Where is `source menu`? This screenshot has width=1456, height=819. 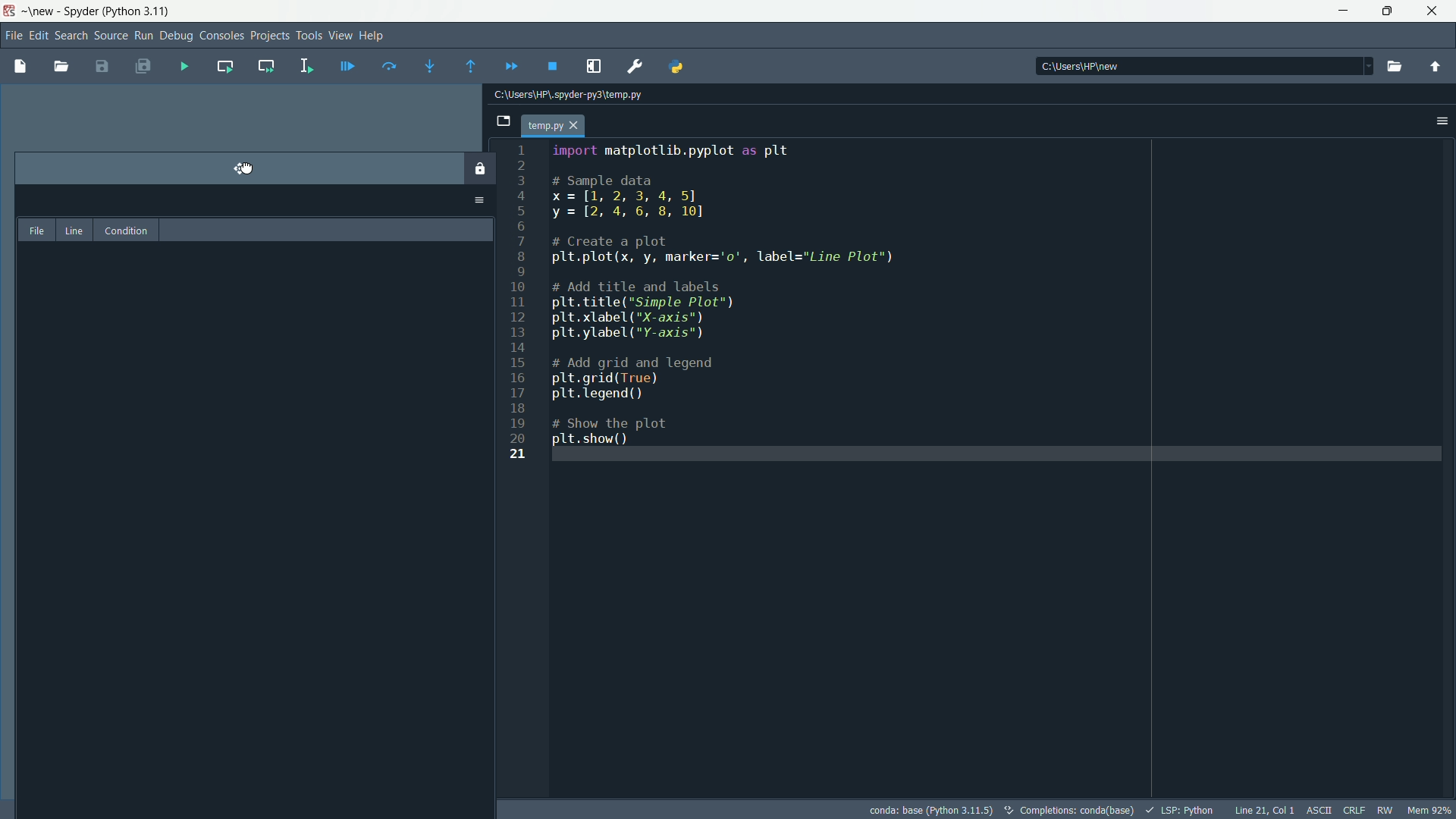
source menu is located at coordinates (109, 36).